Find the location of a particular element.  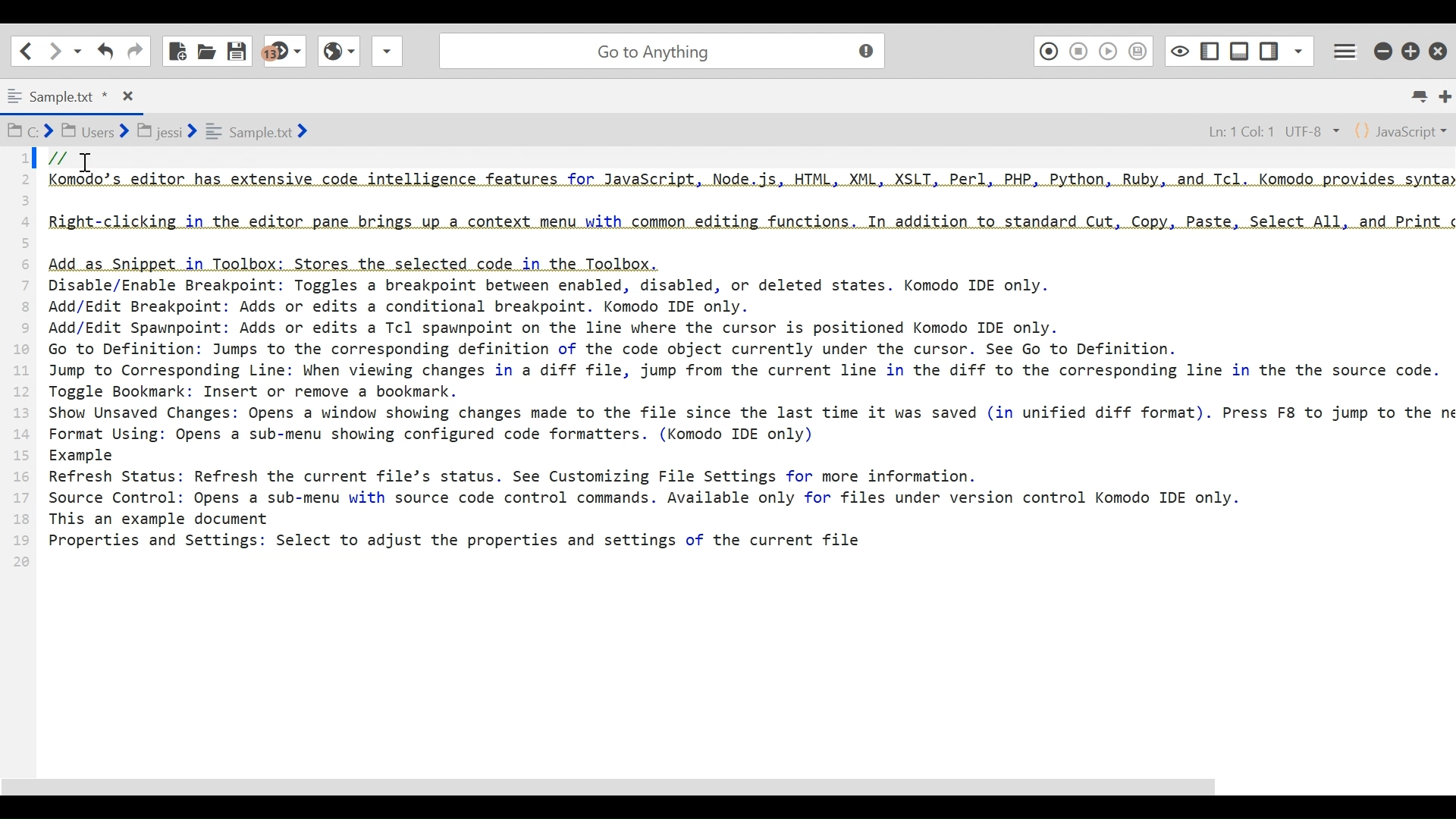

Close is located at coordinates (1440, 47).